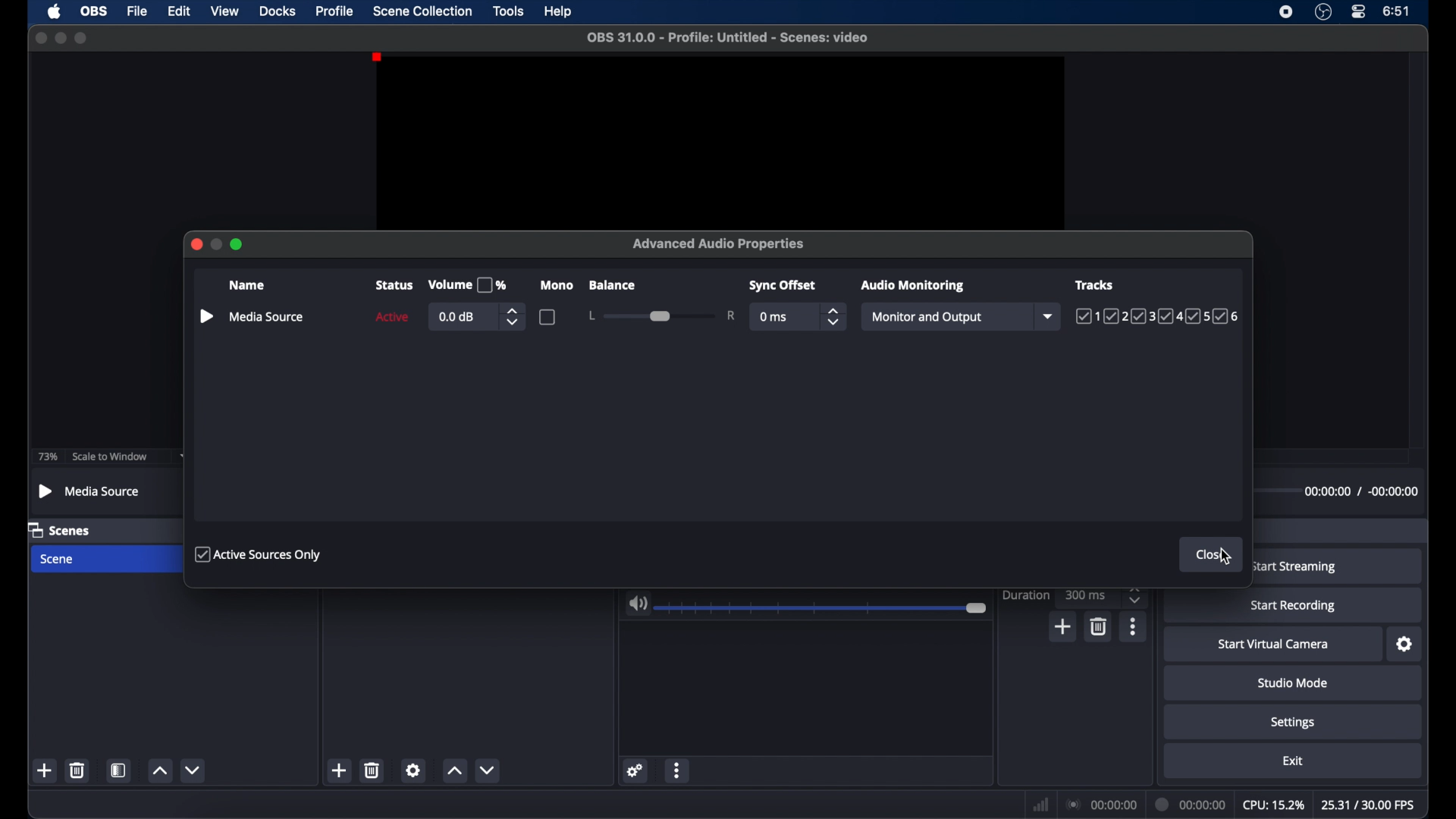 This screenshot has width=1456, height=819. I want to click on scale to window, so click(110, 457).